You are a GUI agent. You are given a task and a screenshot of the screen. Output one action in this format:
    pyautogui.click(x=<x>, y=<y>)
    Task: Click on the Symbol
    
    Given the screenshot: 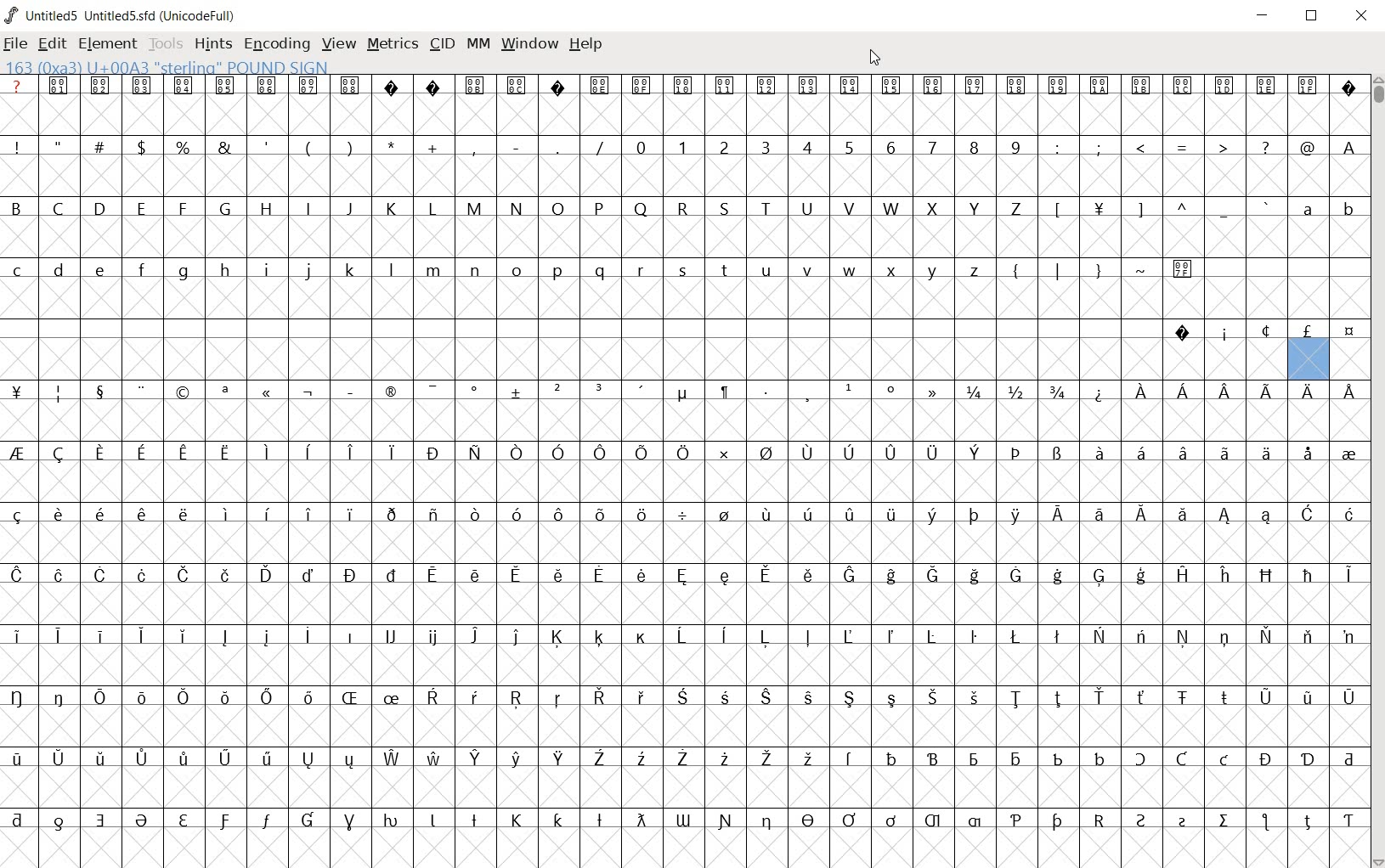 What is the action you would take?
    pyautogui.click(x=59, y=697)
    